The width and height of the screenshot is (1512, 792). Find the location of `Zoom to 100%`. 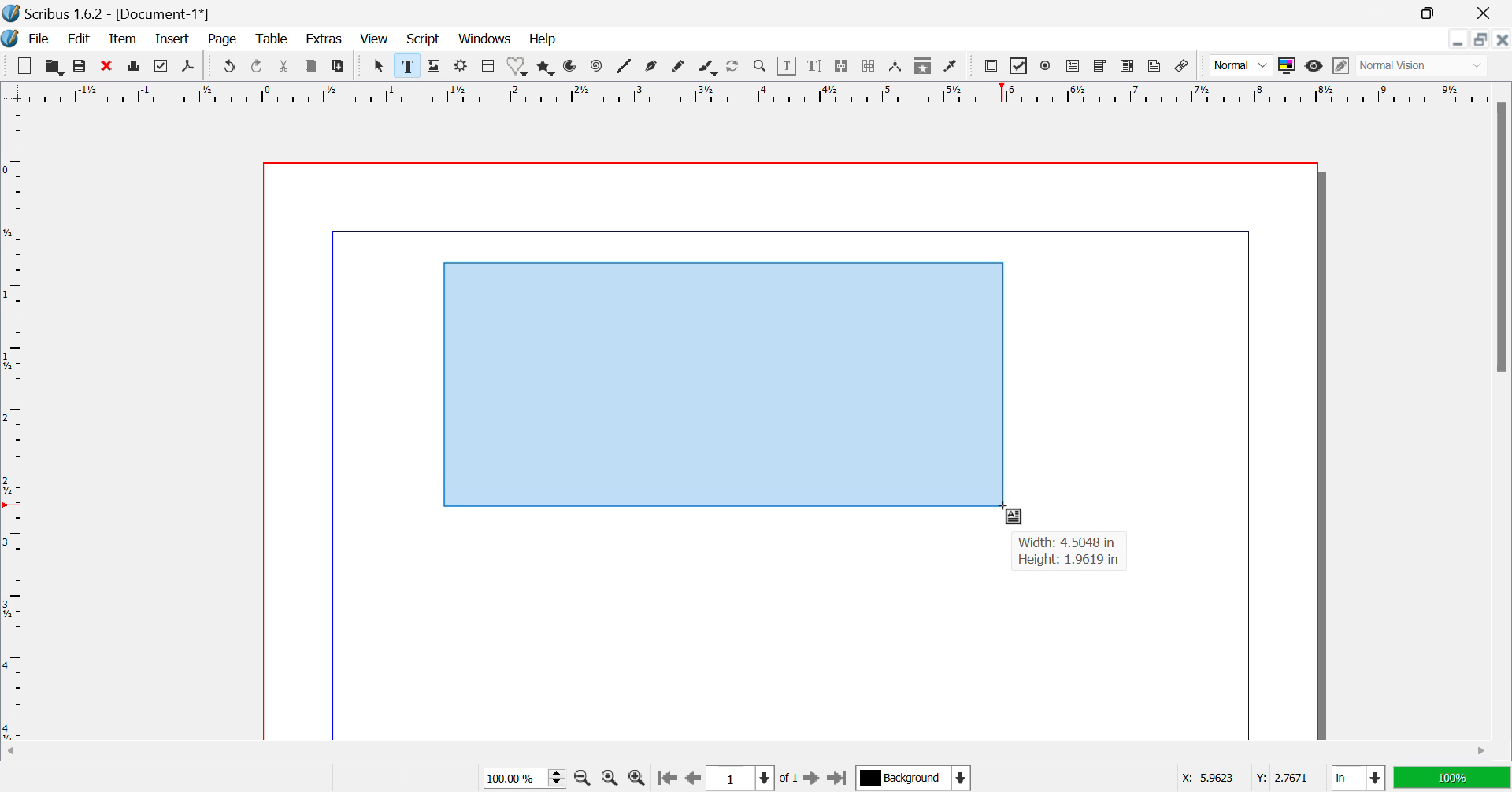

Zoom to 100% is located at coordinates (610, 779).